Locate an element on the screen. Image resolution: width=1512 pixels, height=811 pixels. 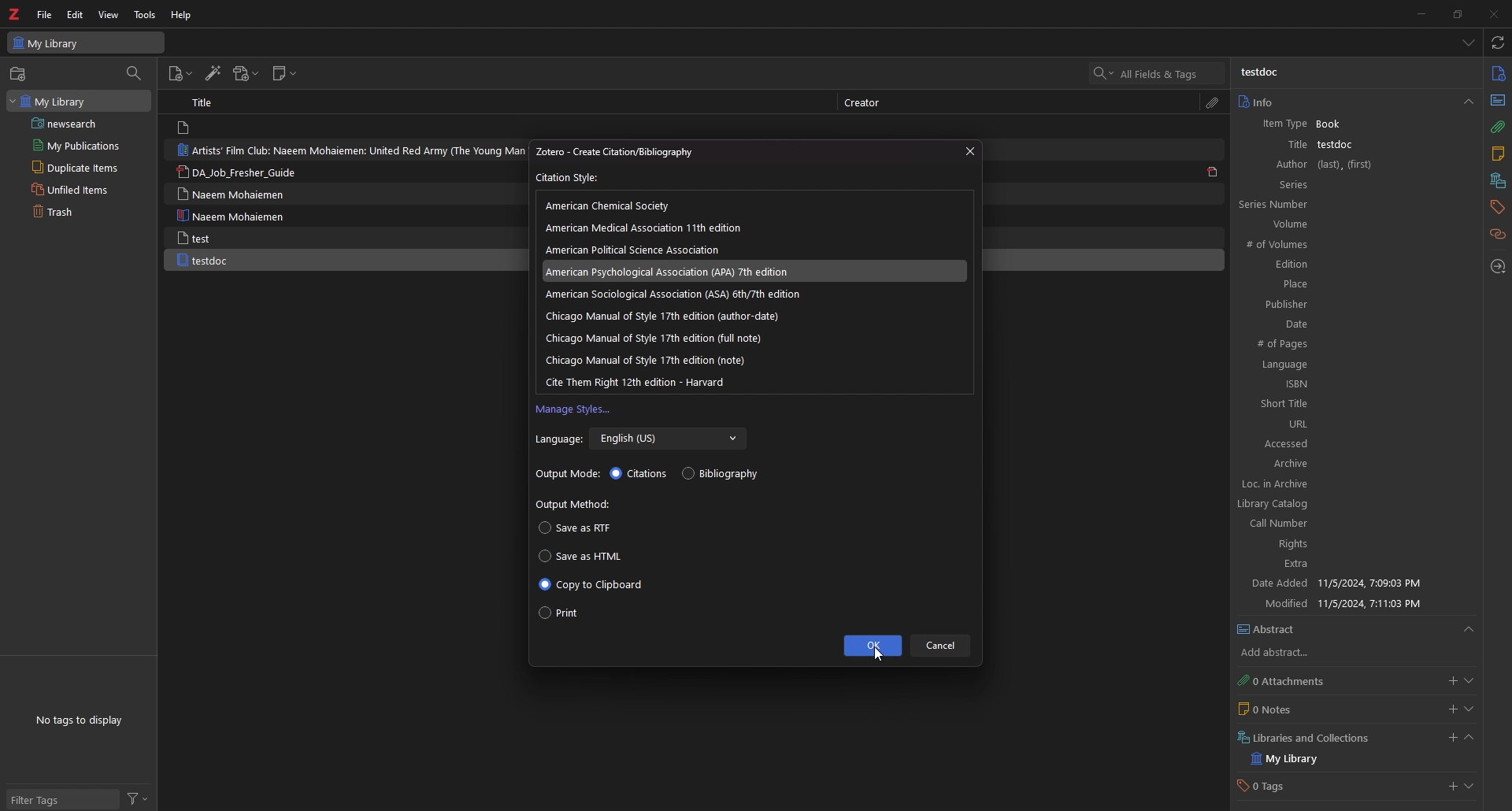
filter is located at coordinates (138, 799).